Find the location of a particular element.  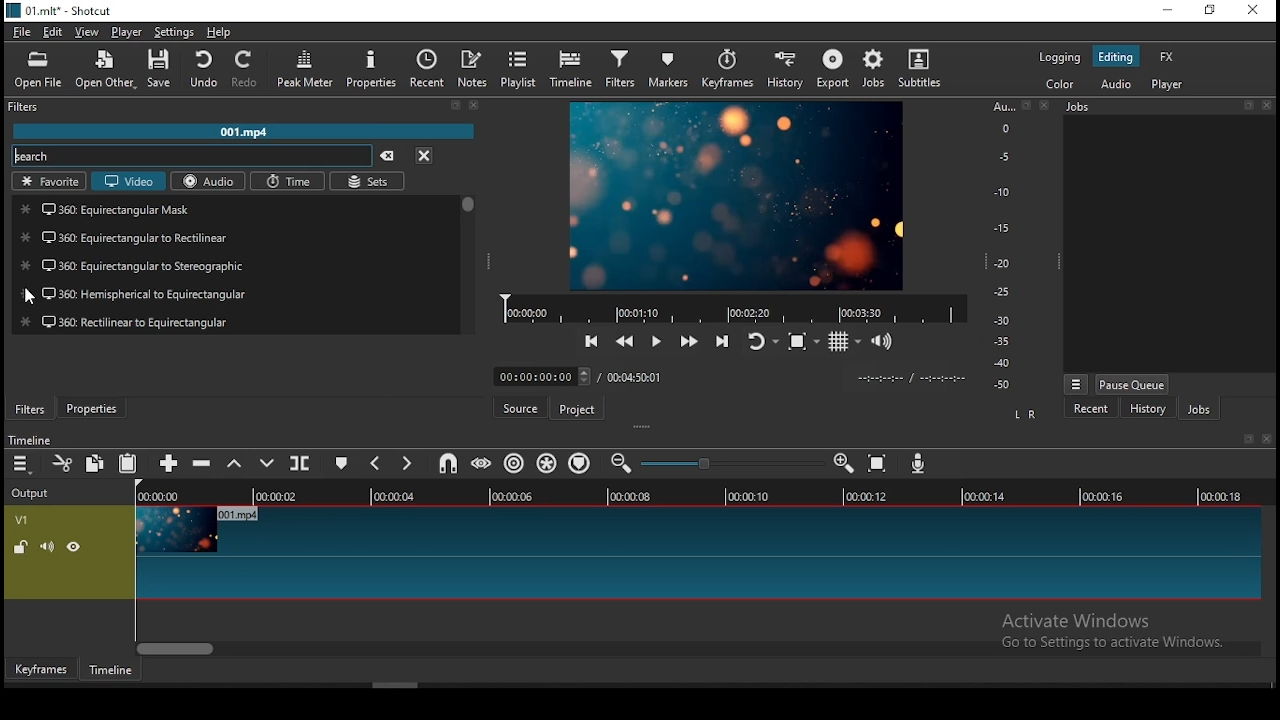

keyframes is located at coordinates (731, 69).